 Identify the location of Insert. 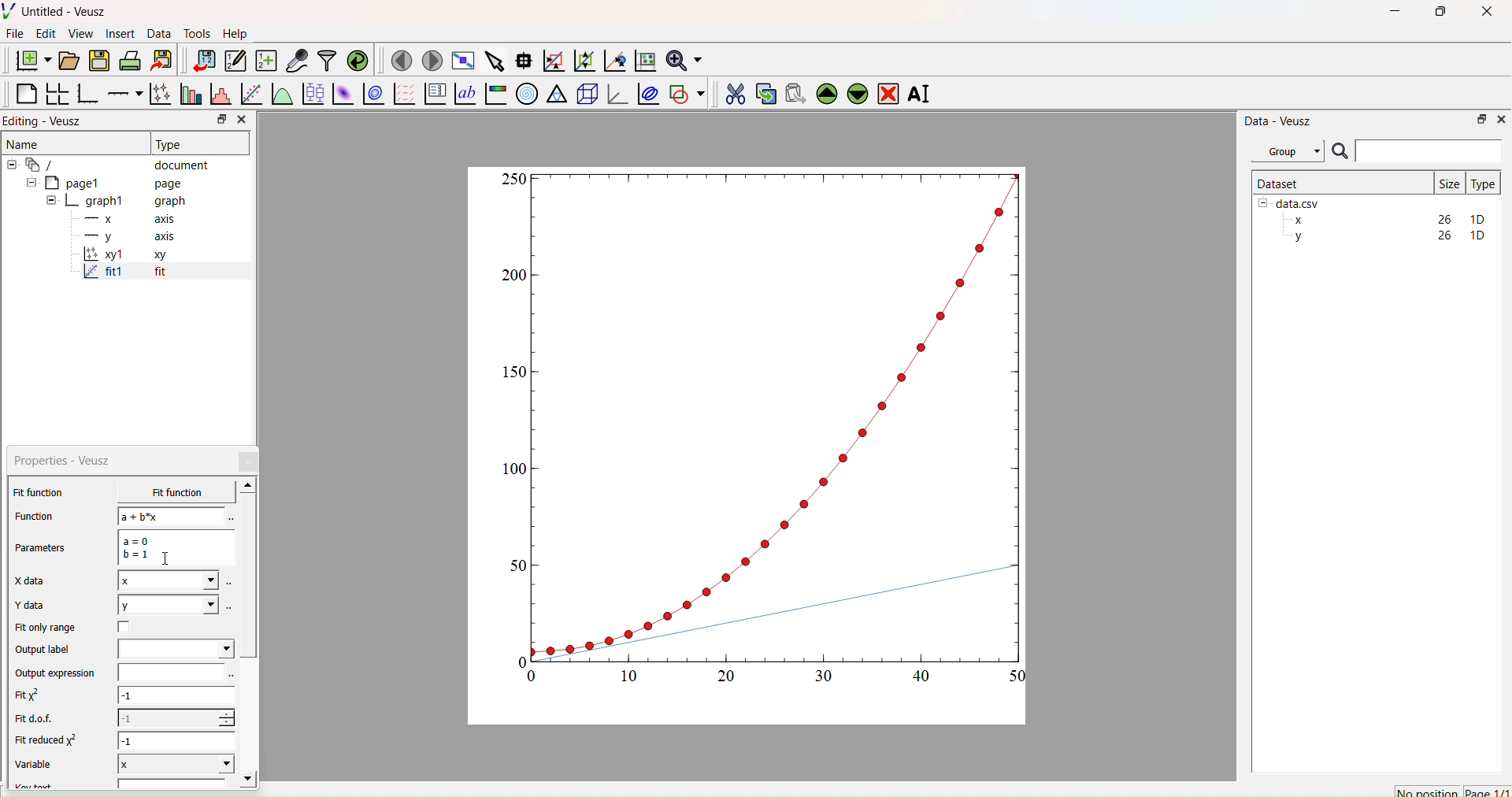
(123, 33).